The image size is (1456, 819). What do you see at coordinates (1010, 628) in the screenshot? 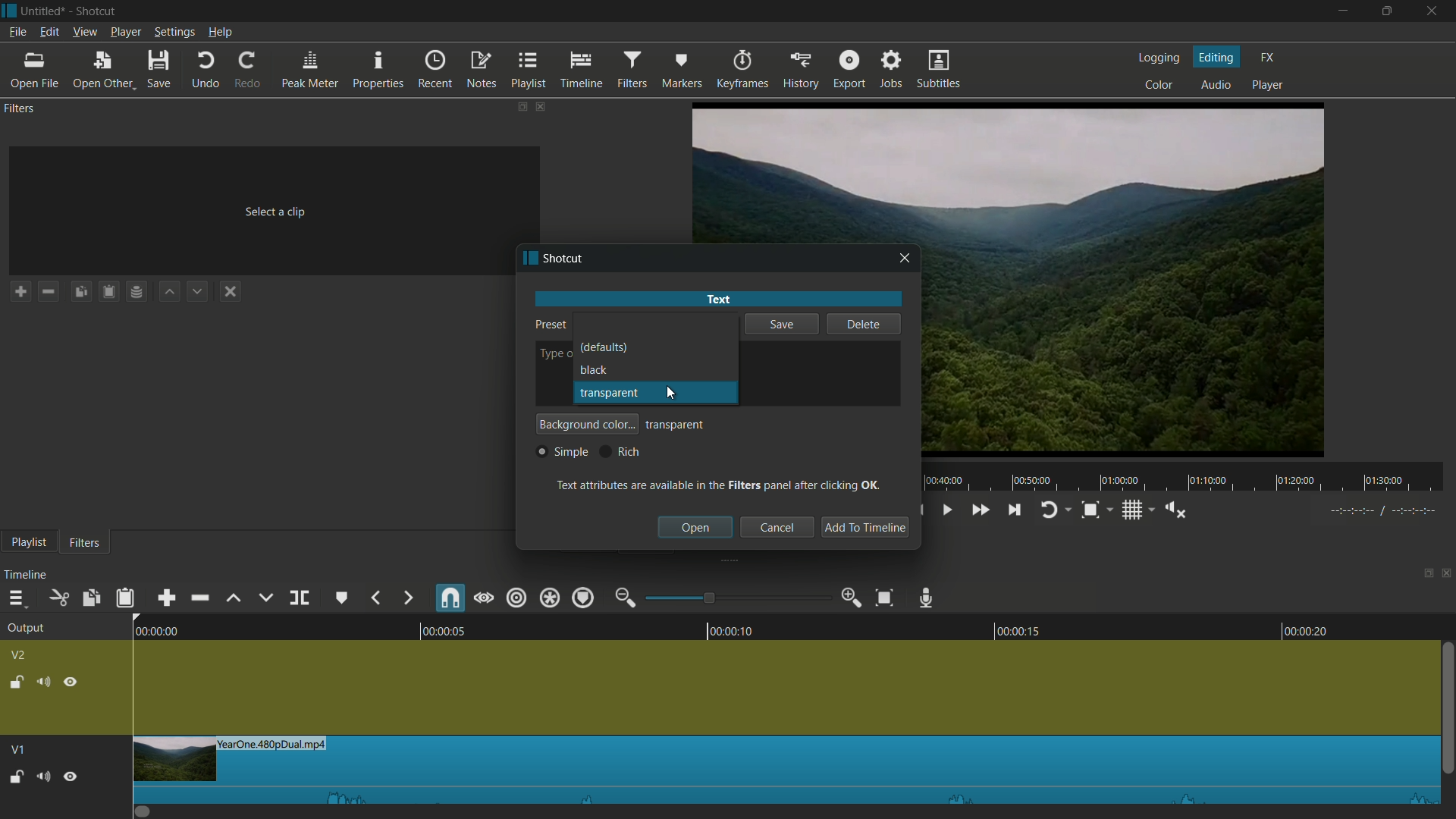
I see `00:00:15` at bounding box center [1010, 628].